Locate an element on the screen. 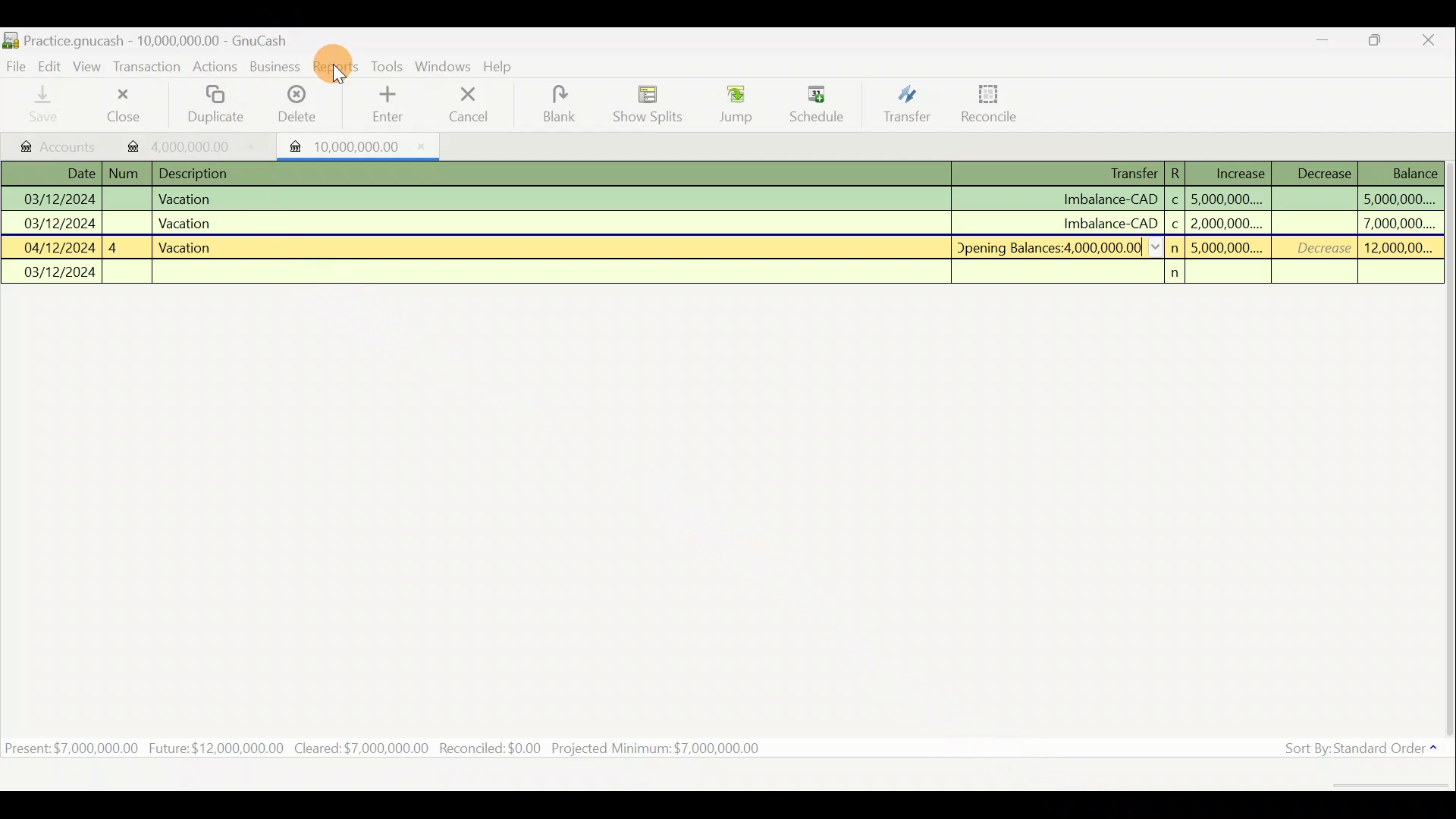 This screenshot has height=819, width=1456. Minimize is located at coordinates (1318, 42).